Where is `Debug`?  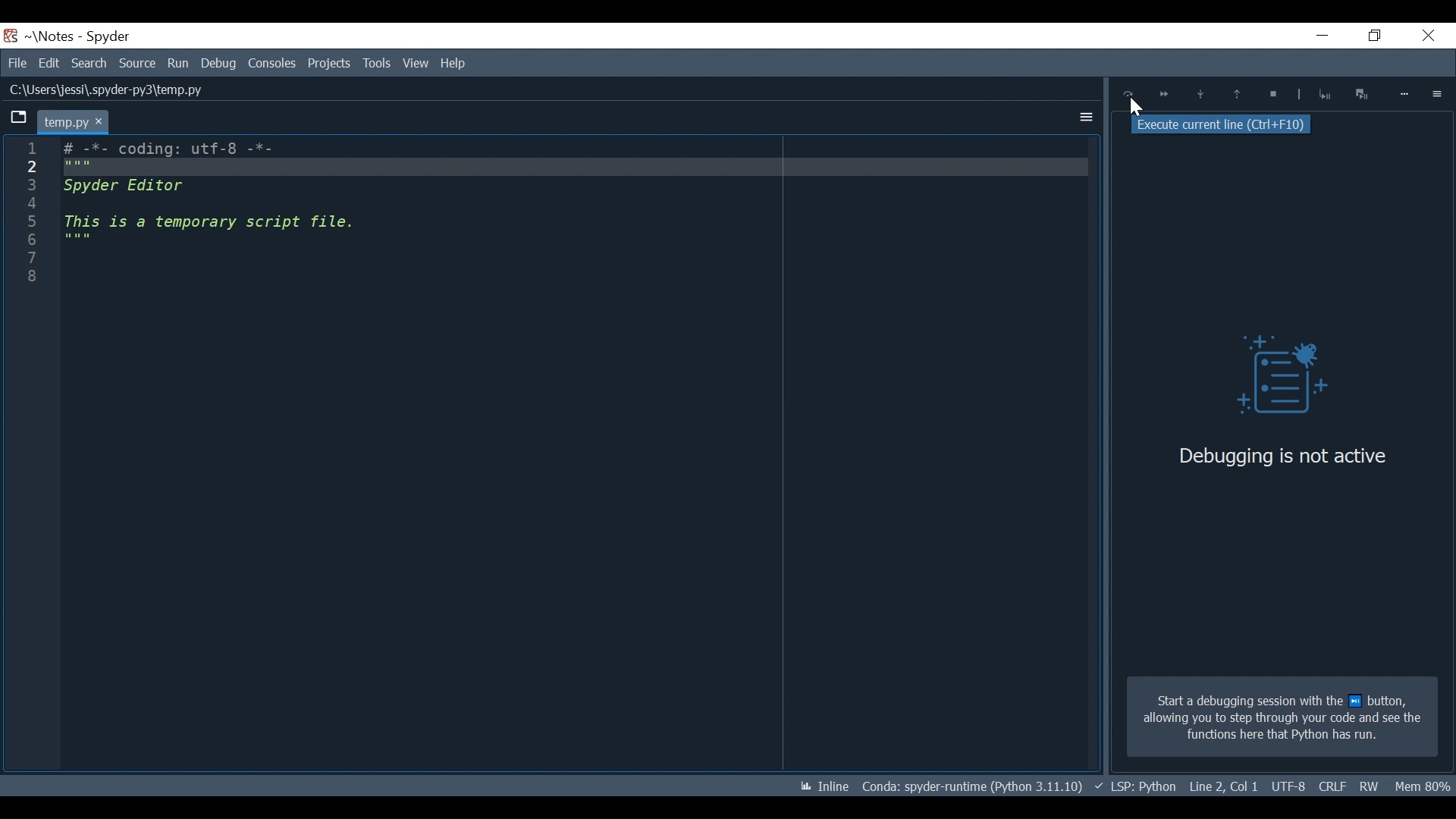 Debug is located at coordinates (1270, 378).